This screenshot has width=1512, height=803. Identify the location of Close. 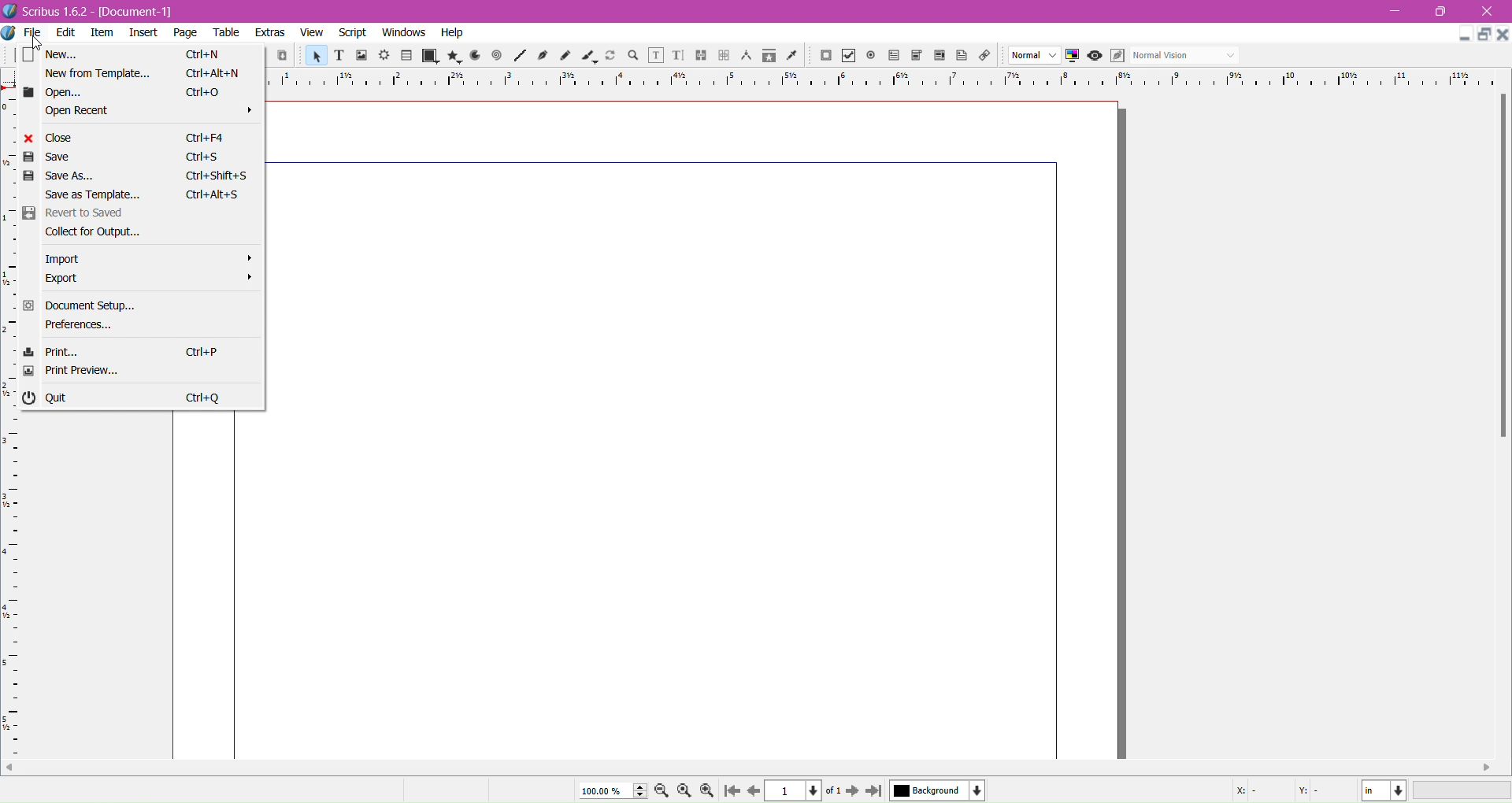
(136, 139).